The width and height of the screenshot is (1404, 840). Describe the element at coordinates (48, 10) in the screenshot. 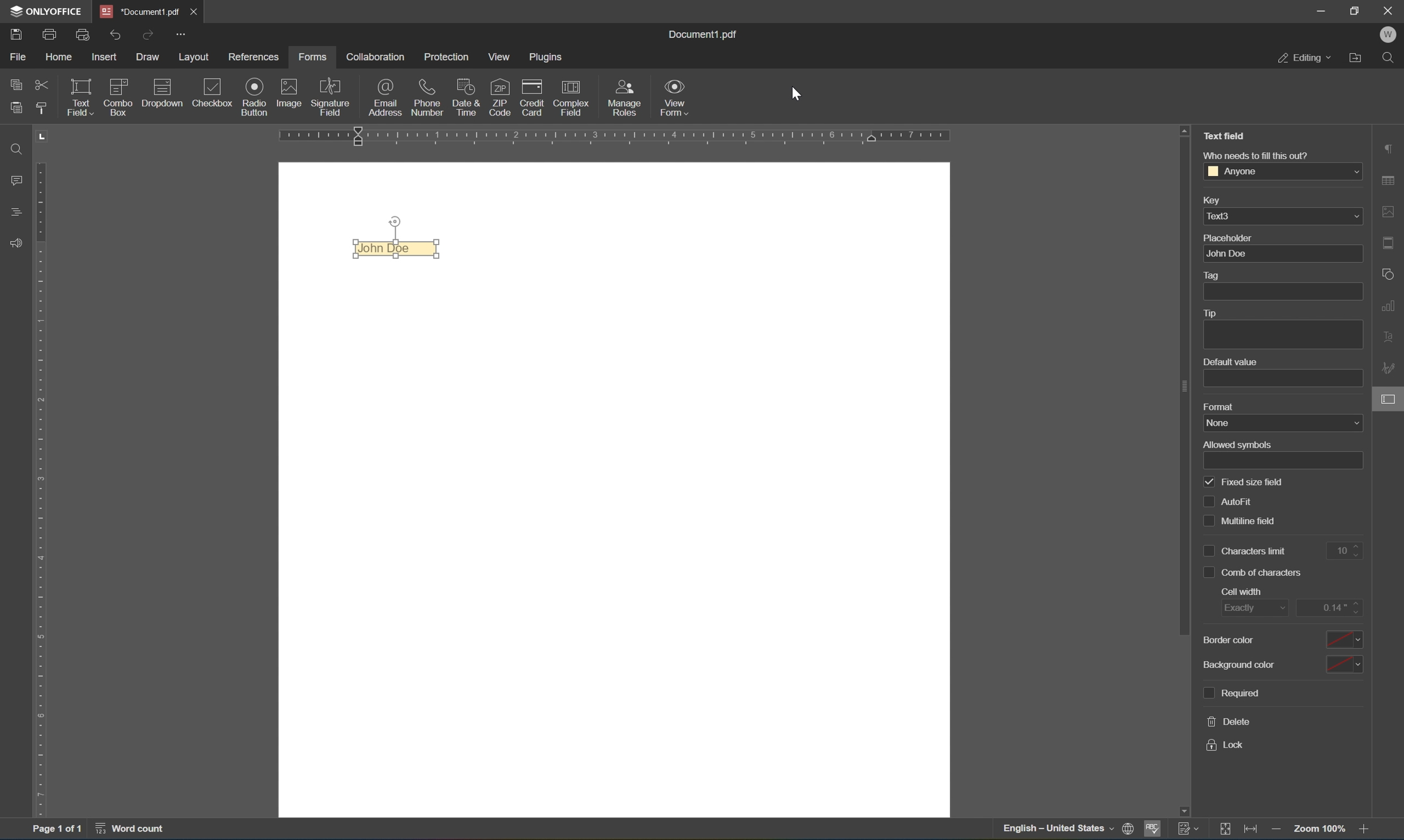

I see `onlyoffice` at that location.